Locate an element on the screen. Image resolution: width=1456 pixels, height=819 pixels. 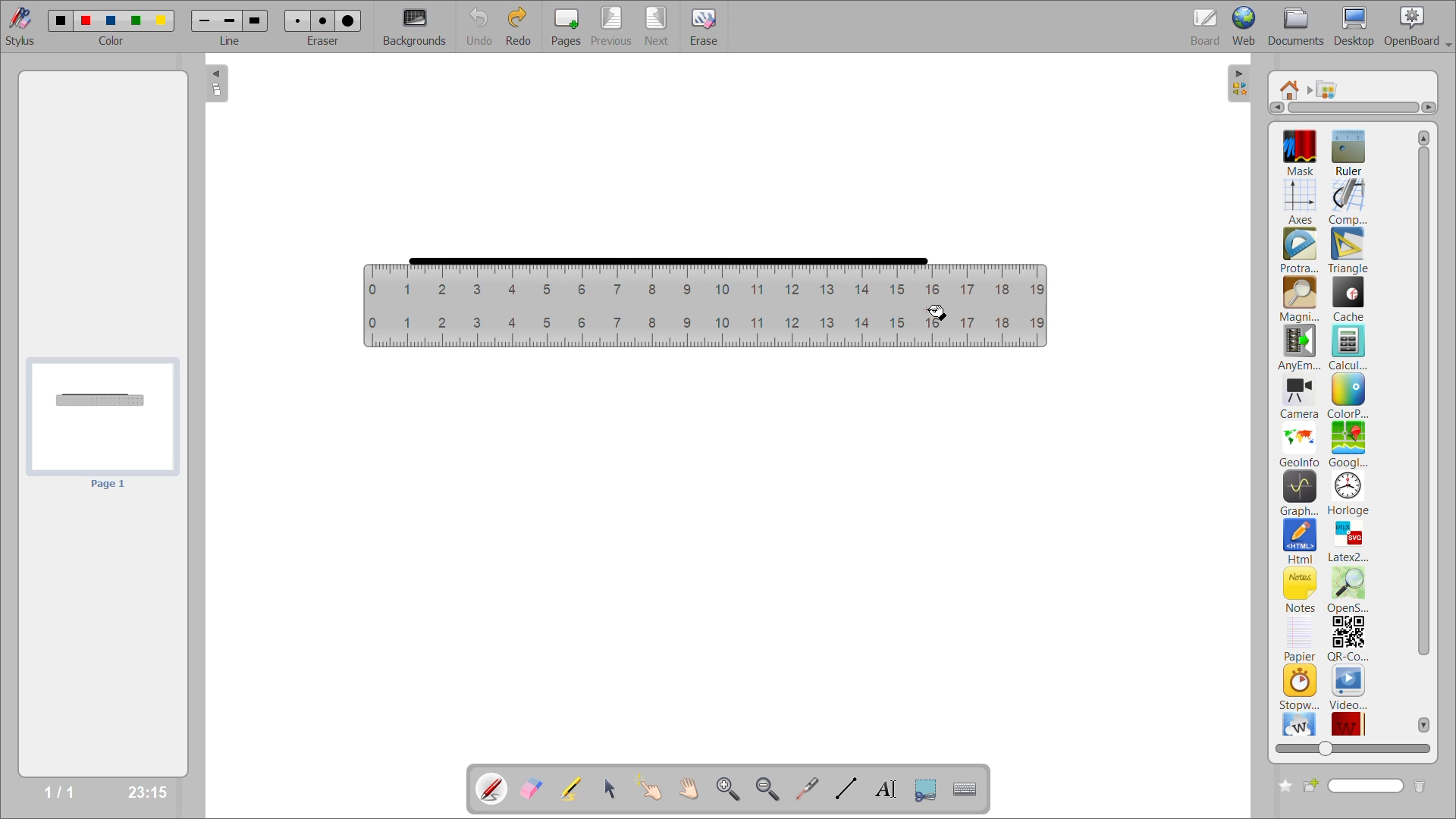
mouse up is located at coordinates (938, 315).